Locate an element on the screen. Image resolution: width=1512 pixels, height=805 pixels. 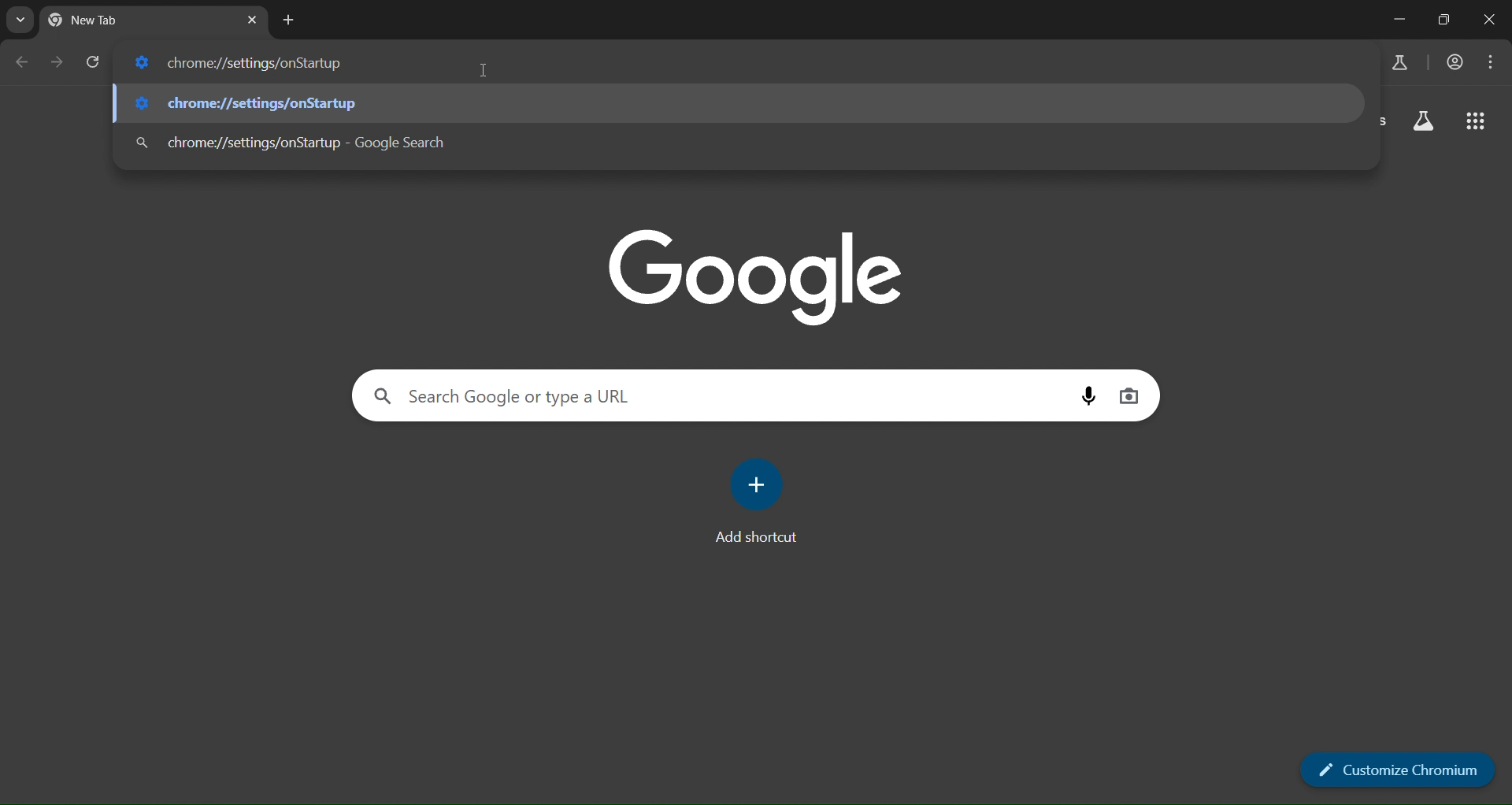
add shortcut is located at coordinates (760, 502).